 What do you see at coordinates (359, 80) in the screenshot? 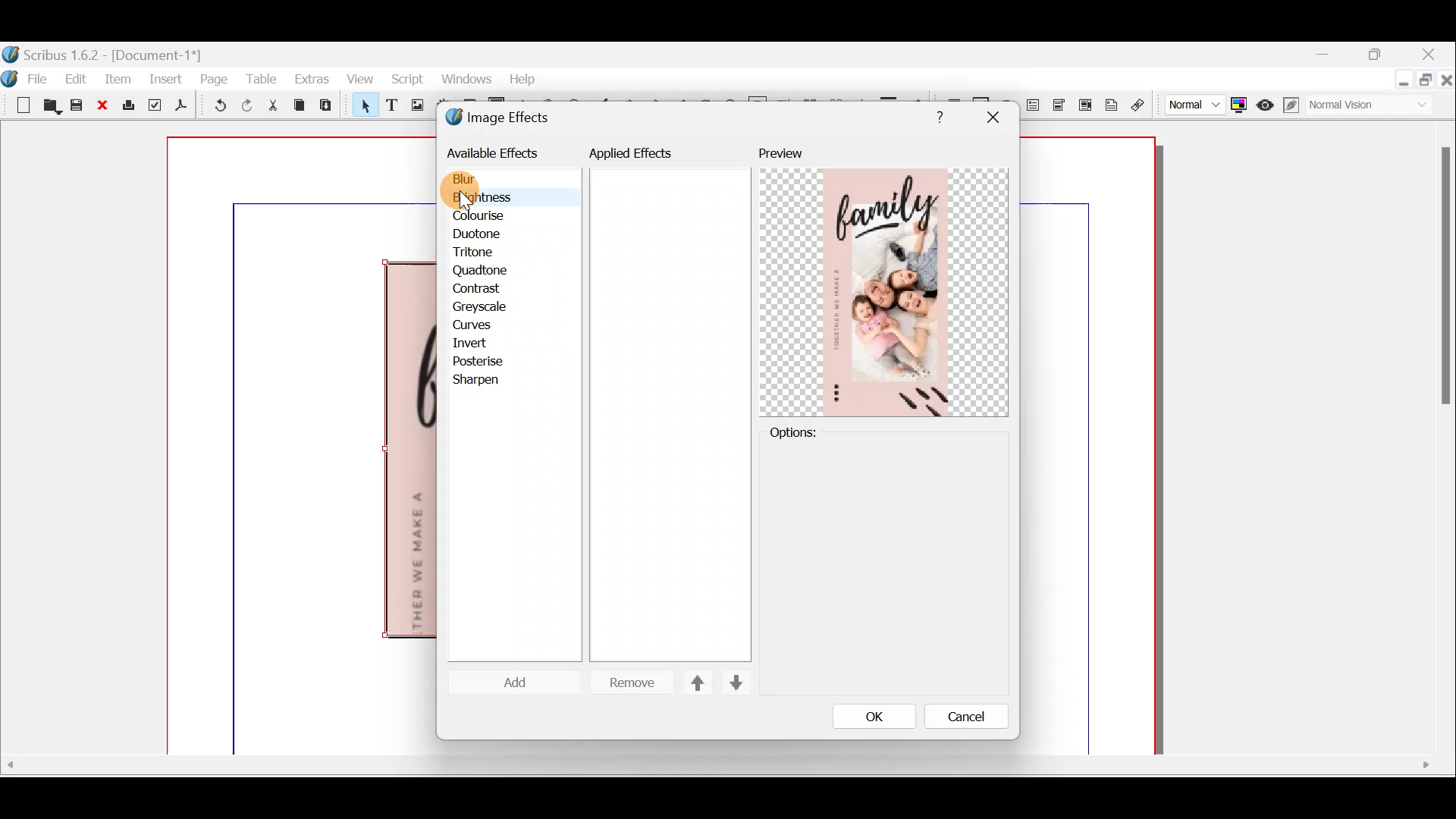
I see `View` at bounding box center [359, 80].